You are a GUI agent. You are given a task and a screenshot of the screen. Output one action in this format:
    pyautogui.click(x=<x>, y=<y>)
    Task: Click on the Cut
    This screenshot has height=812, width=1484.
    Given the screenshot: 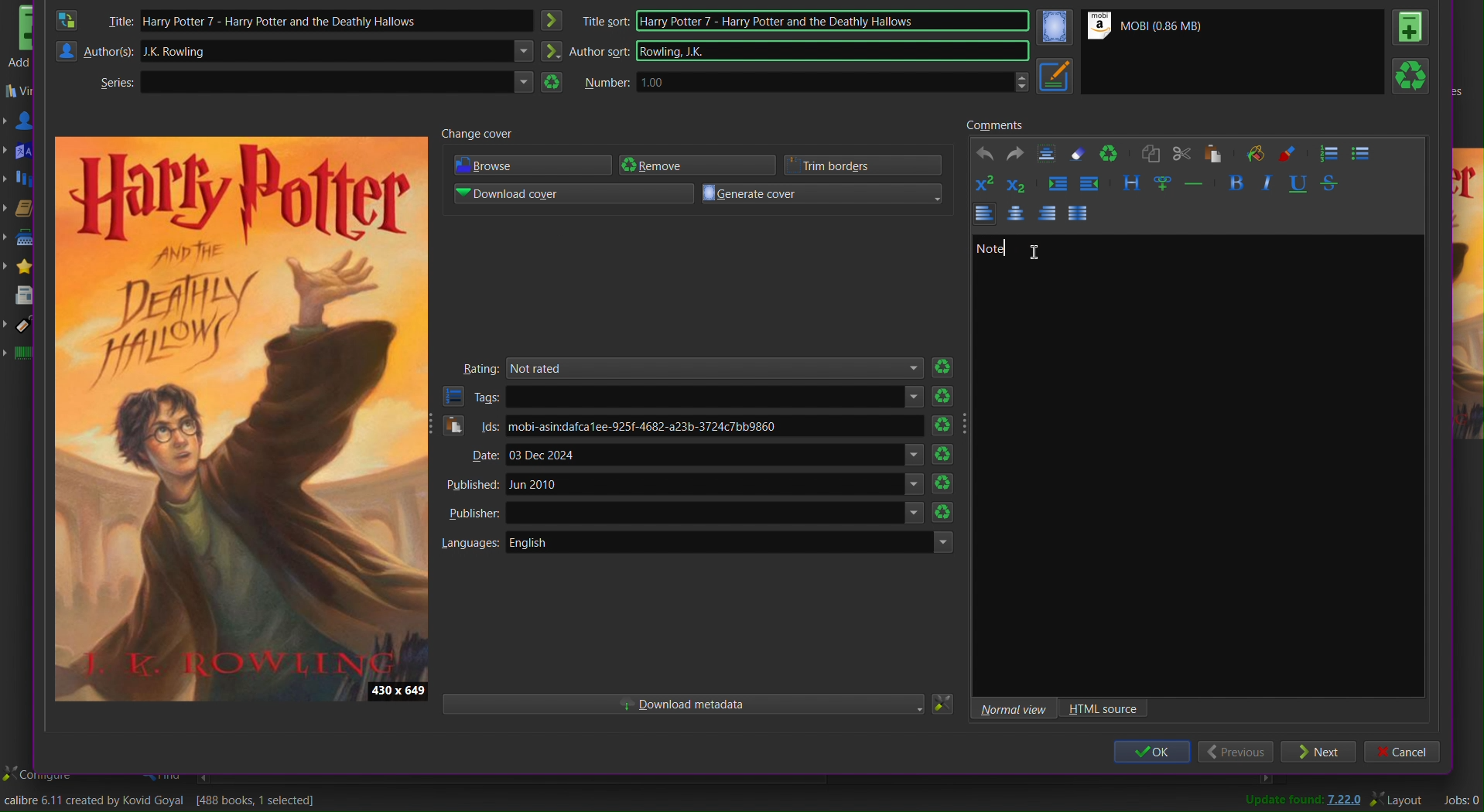 What is the action you would take?
    pyautogui.click(x=1184, y=153)
    